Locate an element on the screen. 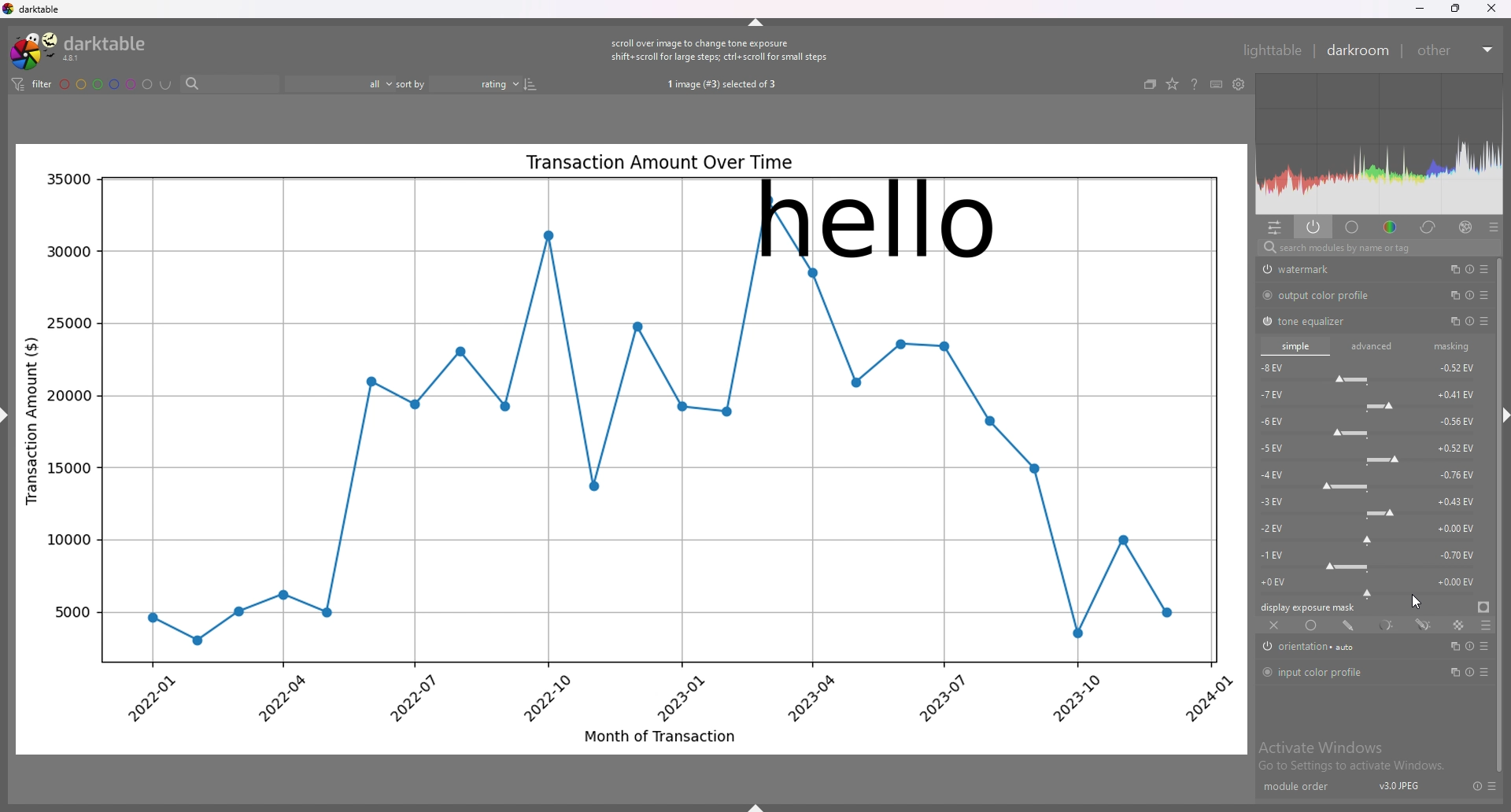  darktable logo is located at coordinates (84, 50).